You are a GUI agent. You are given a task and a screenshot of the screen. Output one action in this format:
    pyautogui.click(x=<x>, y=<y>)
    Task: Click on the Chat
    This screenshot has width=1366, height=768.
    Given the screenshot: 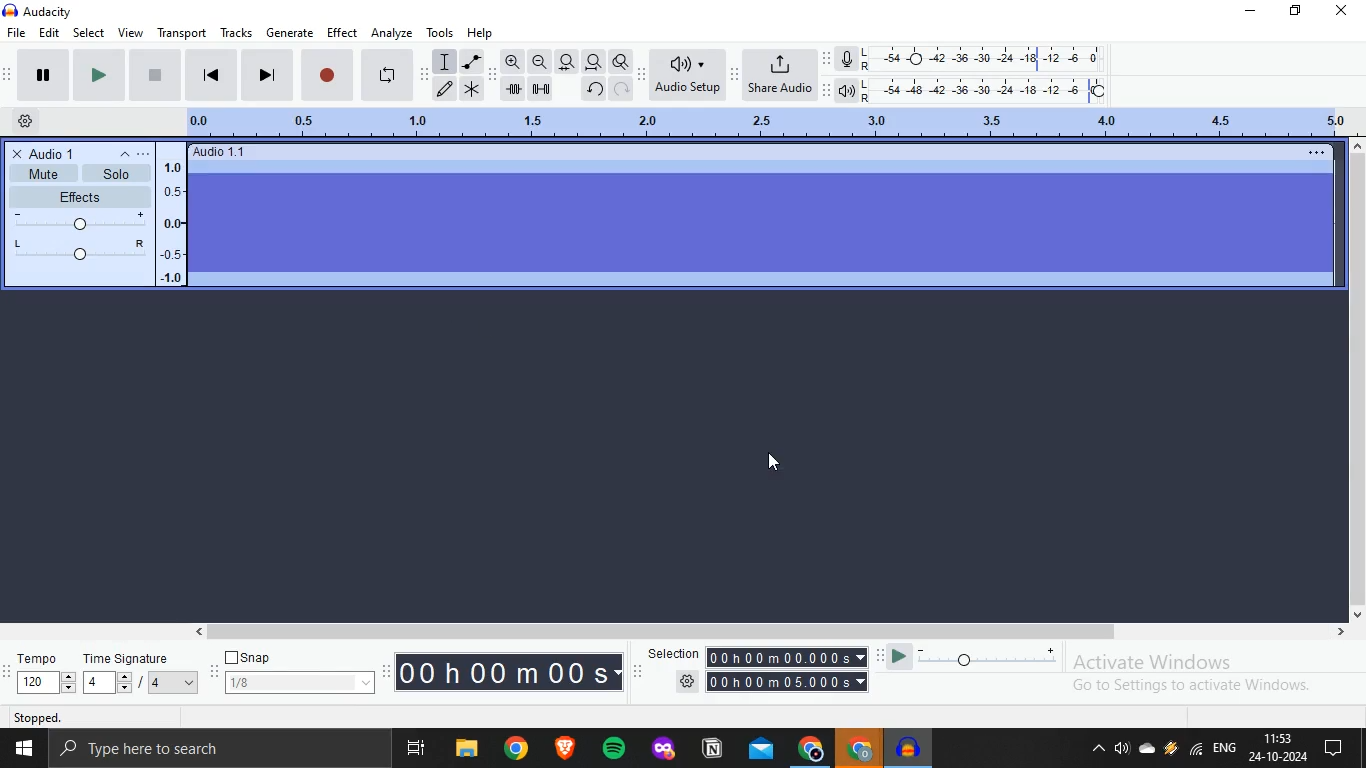 What is the action you would take?
    pyautogui.click(x=1343, y=749)
    